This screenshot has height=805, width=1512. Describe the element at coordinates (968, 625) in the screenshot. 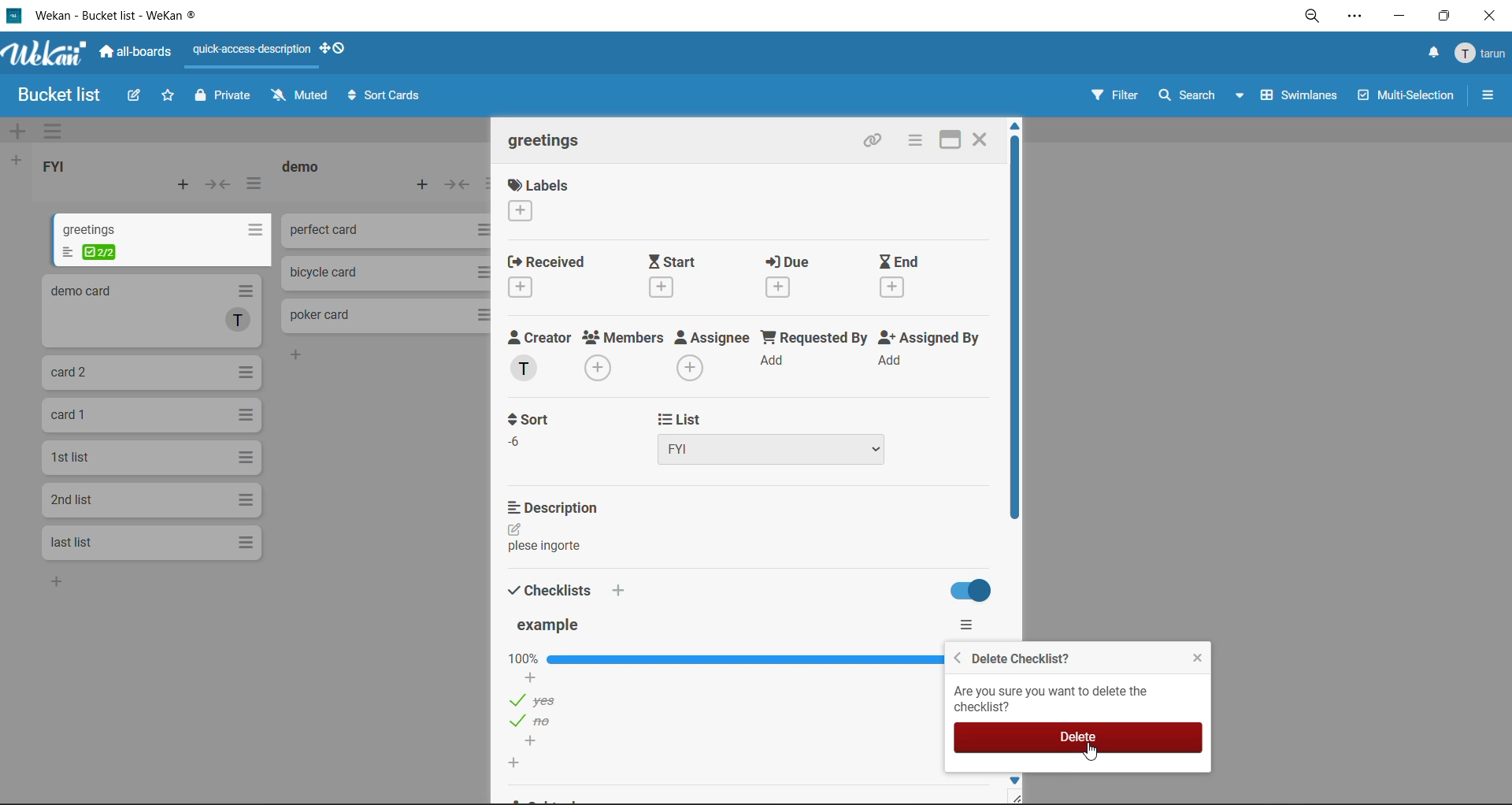

I see `checklist actions` at that location.